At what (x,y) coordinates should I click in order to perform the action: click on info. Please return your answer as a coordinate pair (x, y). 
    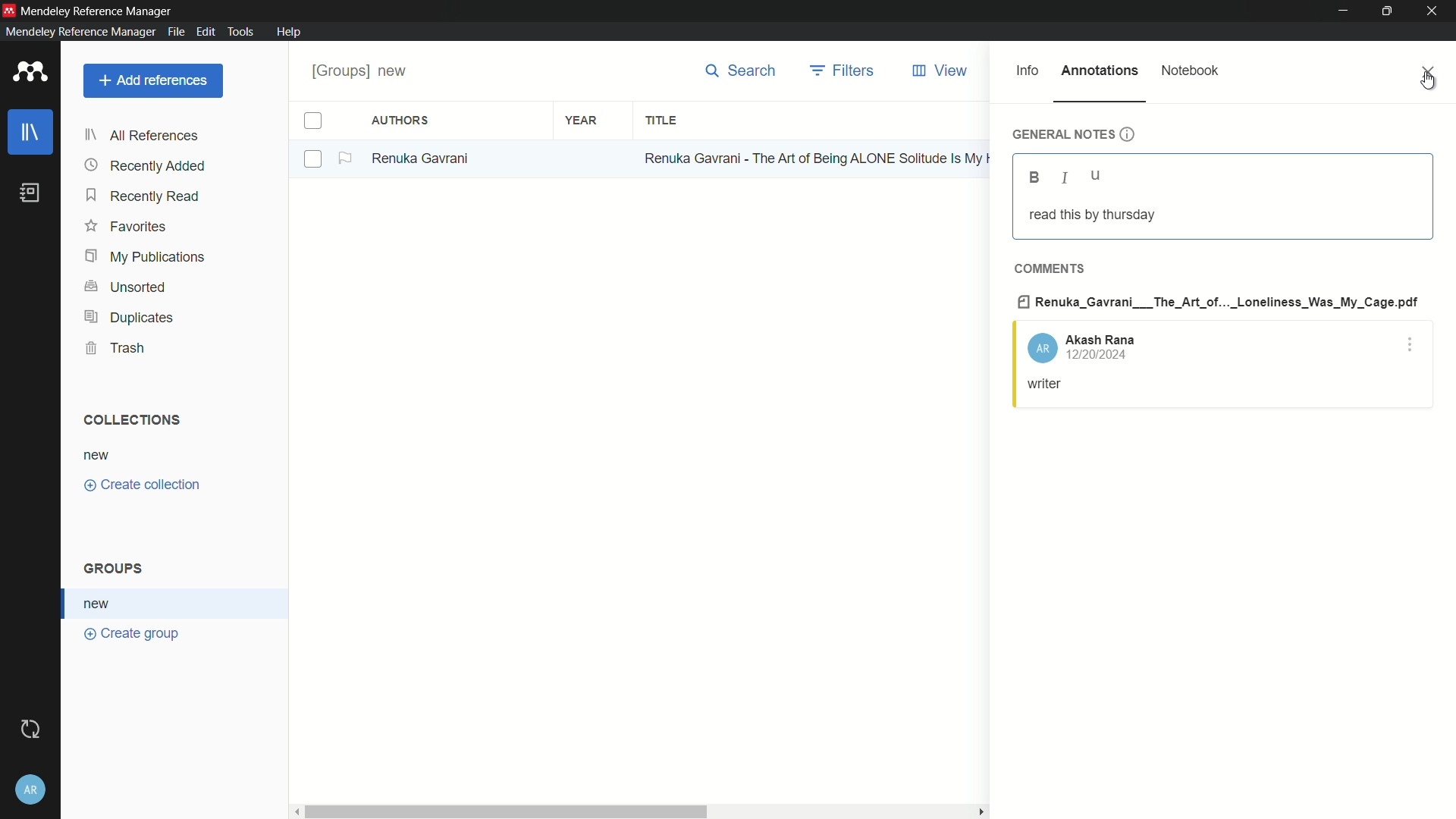
    Looking at the image, I should click on (1028, 71).